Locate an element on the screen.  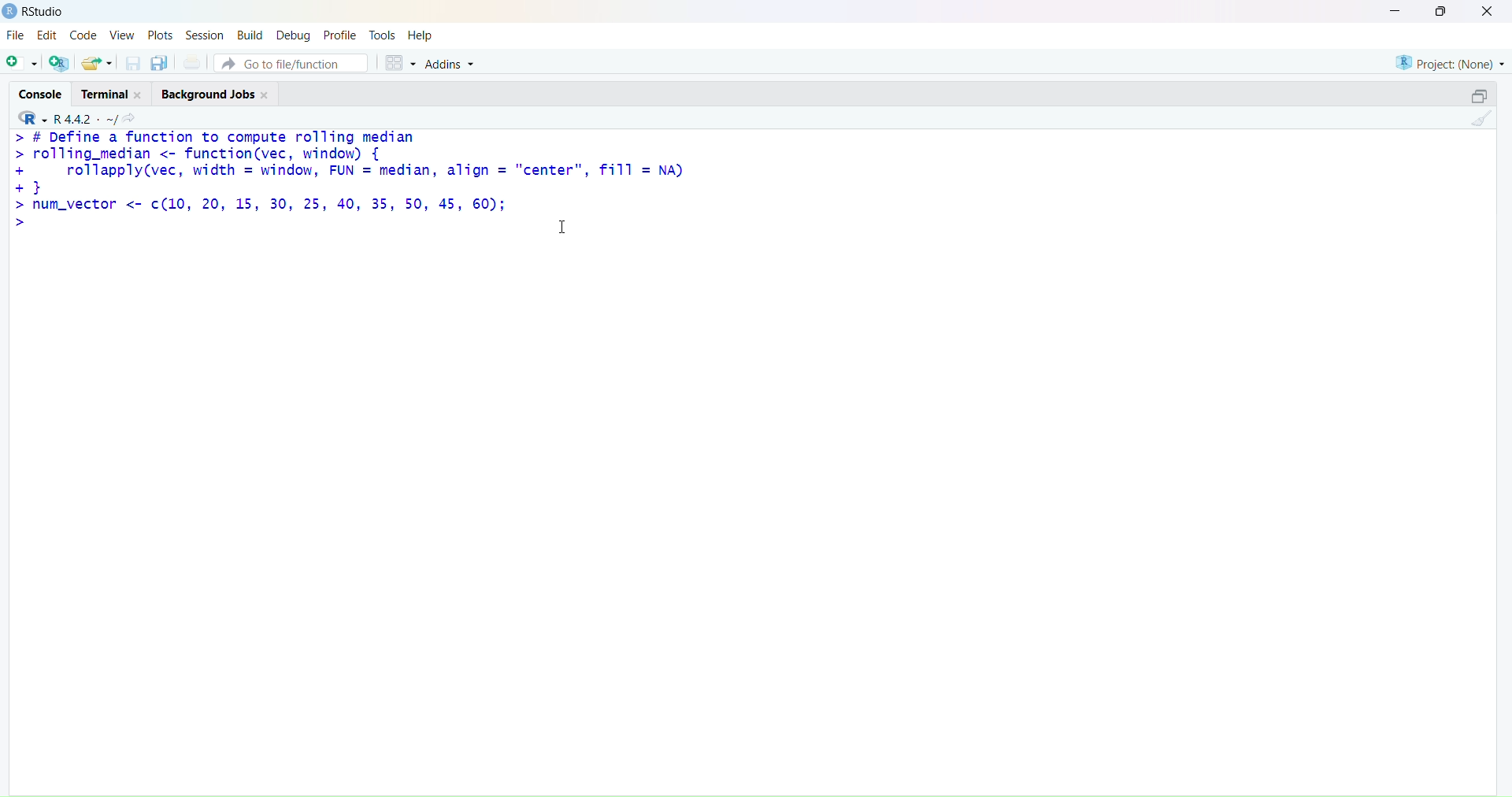
close is located at coordinates (1488, 10).